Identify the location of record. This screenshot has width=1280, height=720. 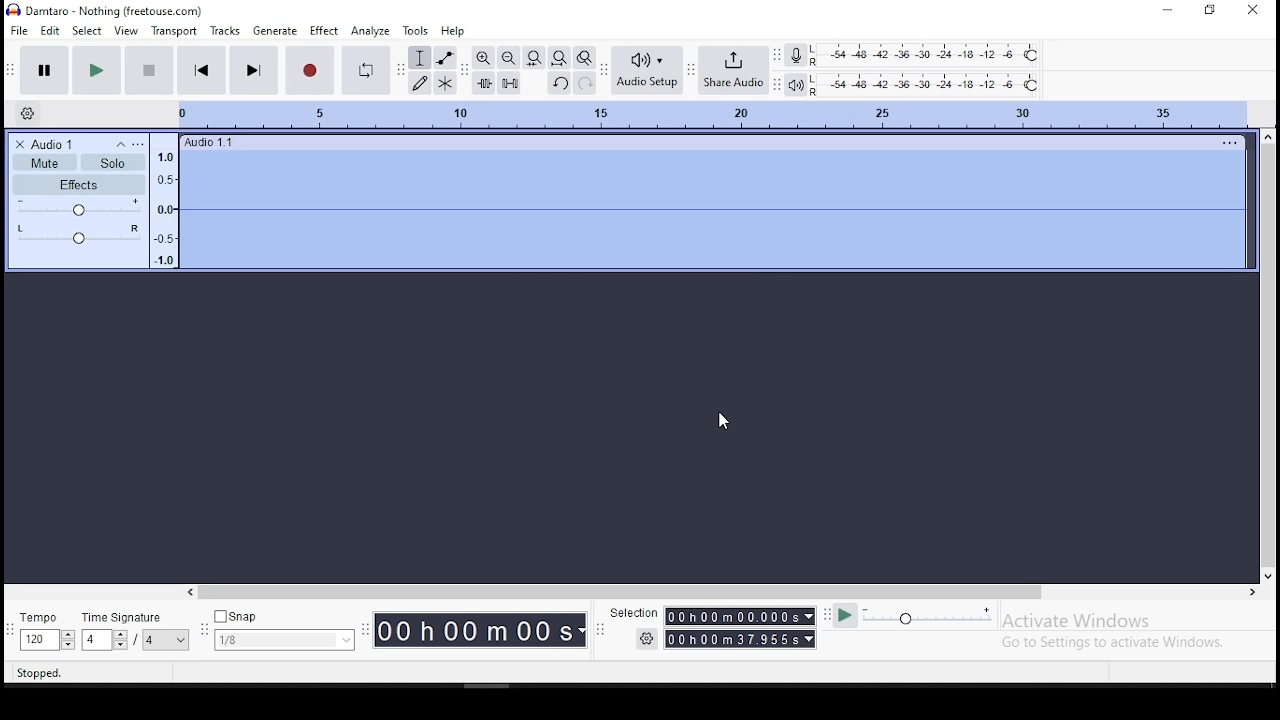
(307, 69).